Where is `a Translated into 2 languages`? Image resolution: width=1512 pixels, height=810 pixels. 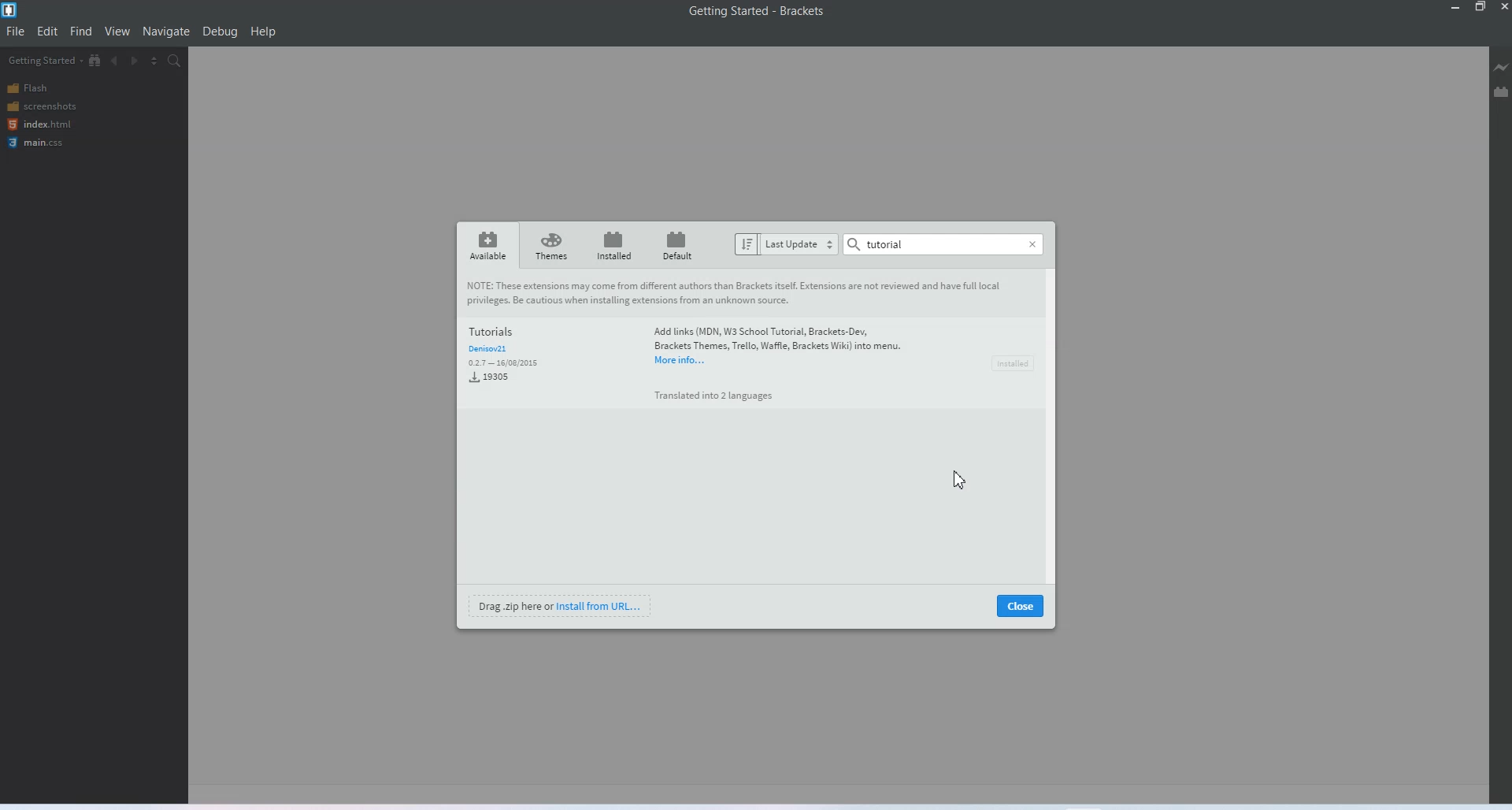
a Translated into 2 languages is located at coordinates (721, 396).